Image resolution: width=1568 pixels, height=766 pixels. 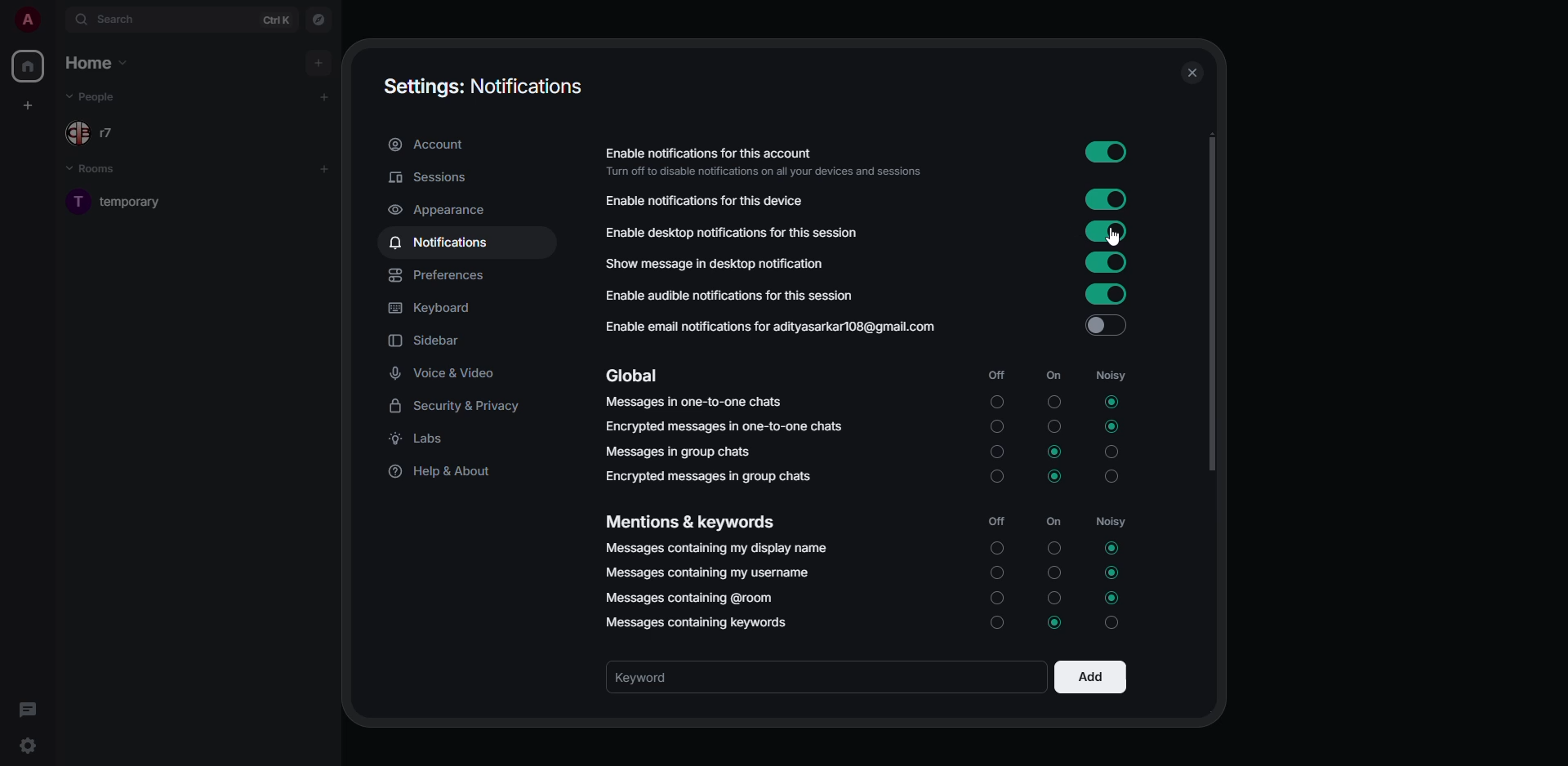 I want to click on create space, so click(x=31, y=102).